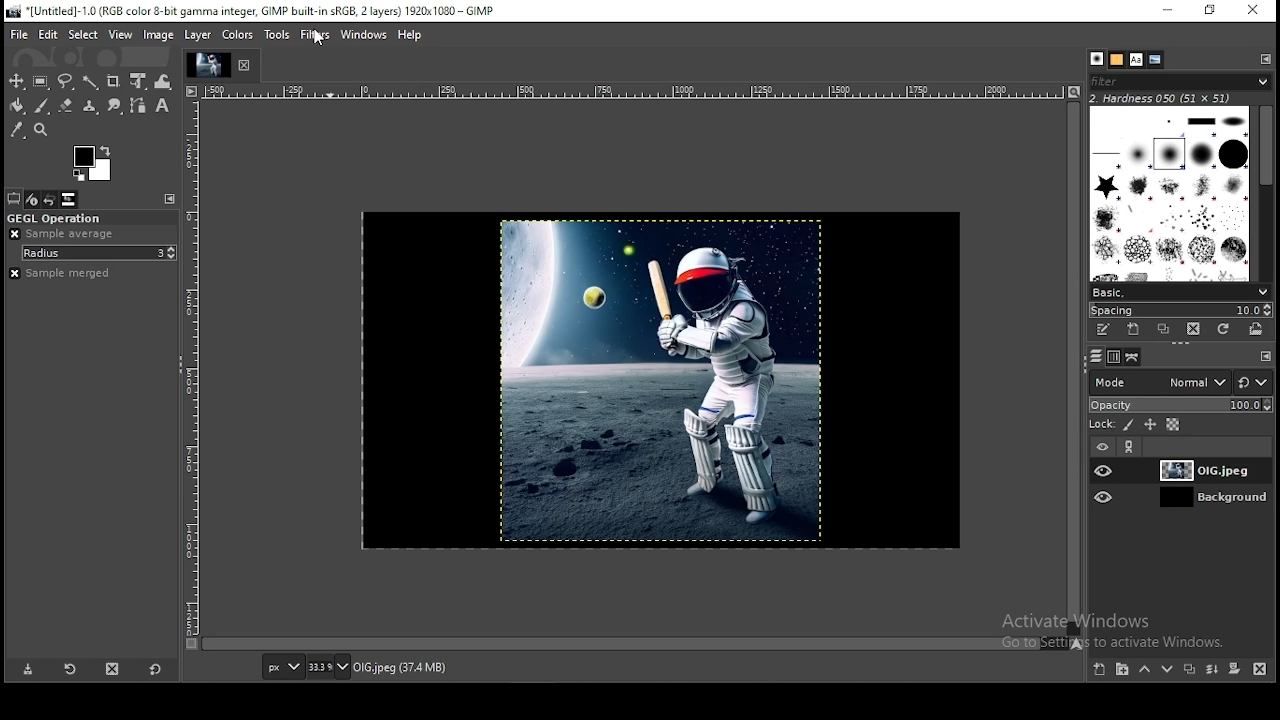 The width and height of the screenshot is (1280, 720). What do you see at coordinates (1106, 470) in the screenshot?
I see `layer visibility` at bounding box center [1106, 470].